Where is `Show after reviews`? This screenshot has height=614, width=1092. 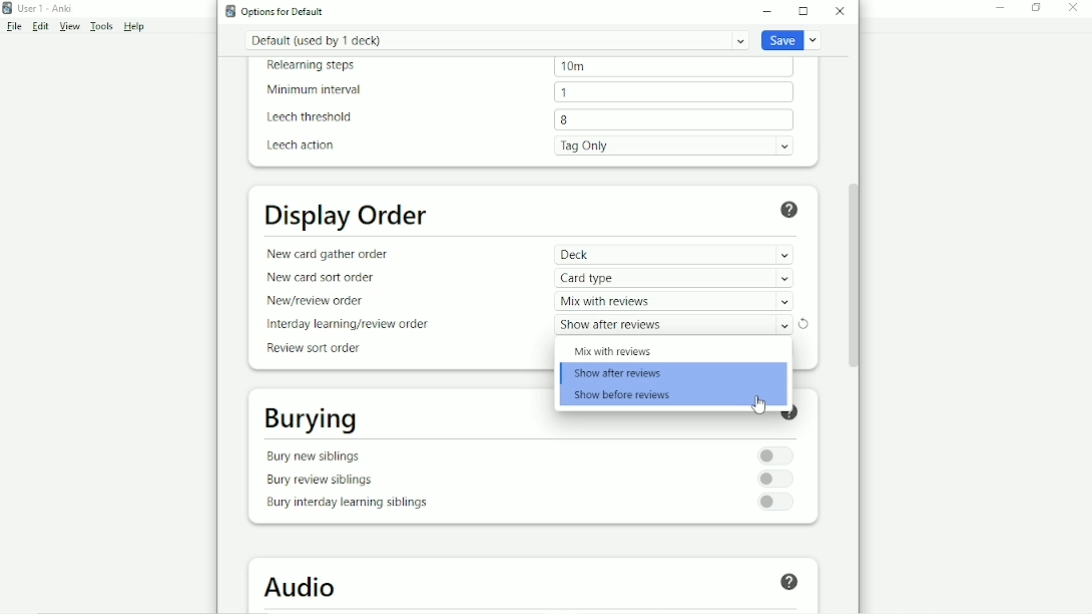
Show after reviews is located at coordinates (620, 374).